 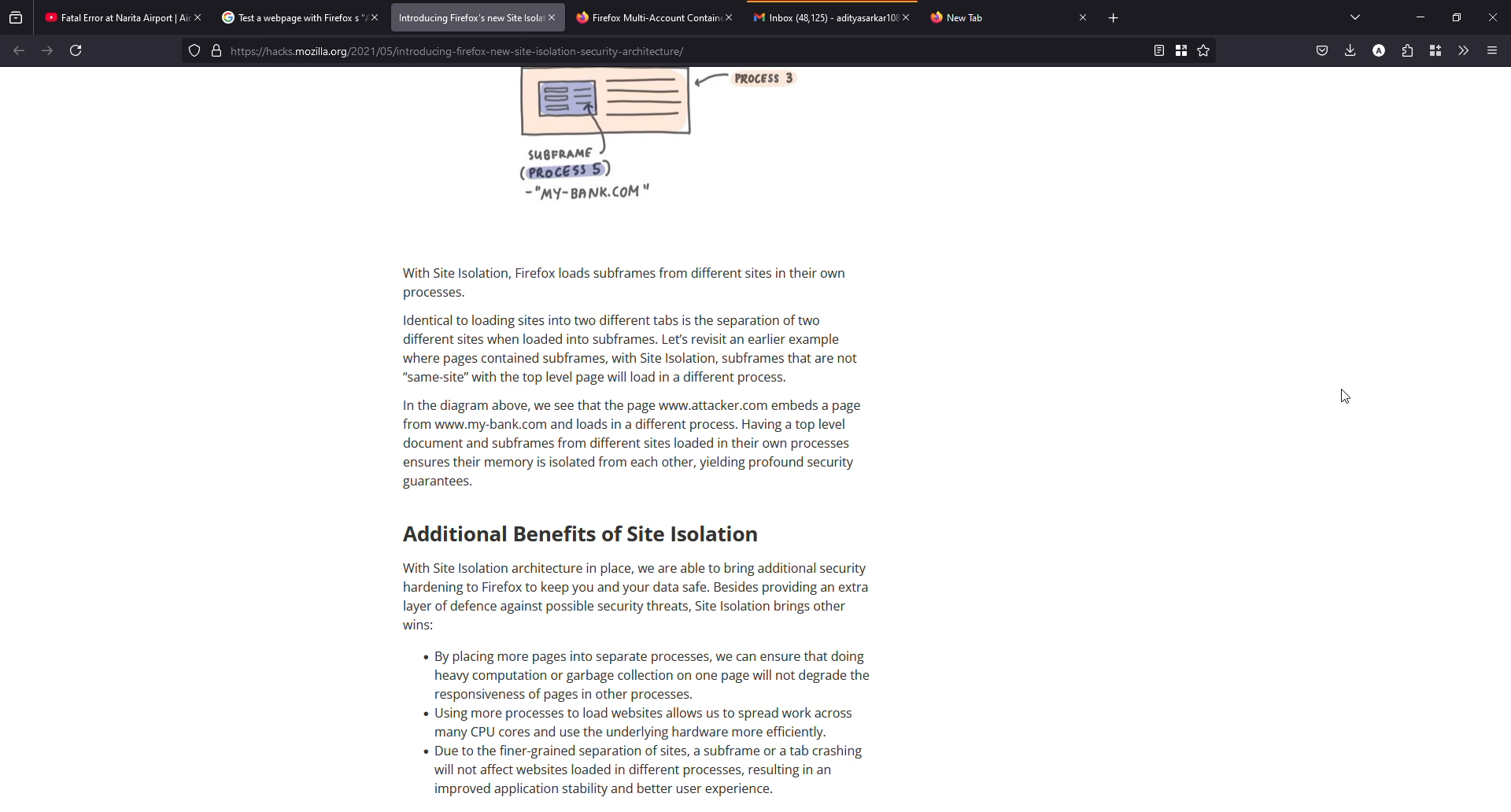 I want to click on tracking, so click(x=194, y=50).